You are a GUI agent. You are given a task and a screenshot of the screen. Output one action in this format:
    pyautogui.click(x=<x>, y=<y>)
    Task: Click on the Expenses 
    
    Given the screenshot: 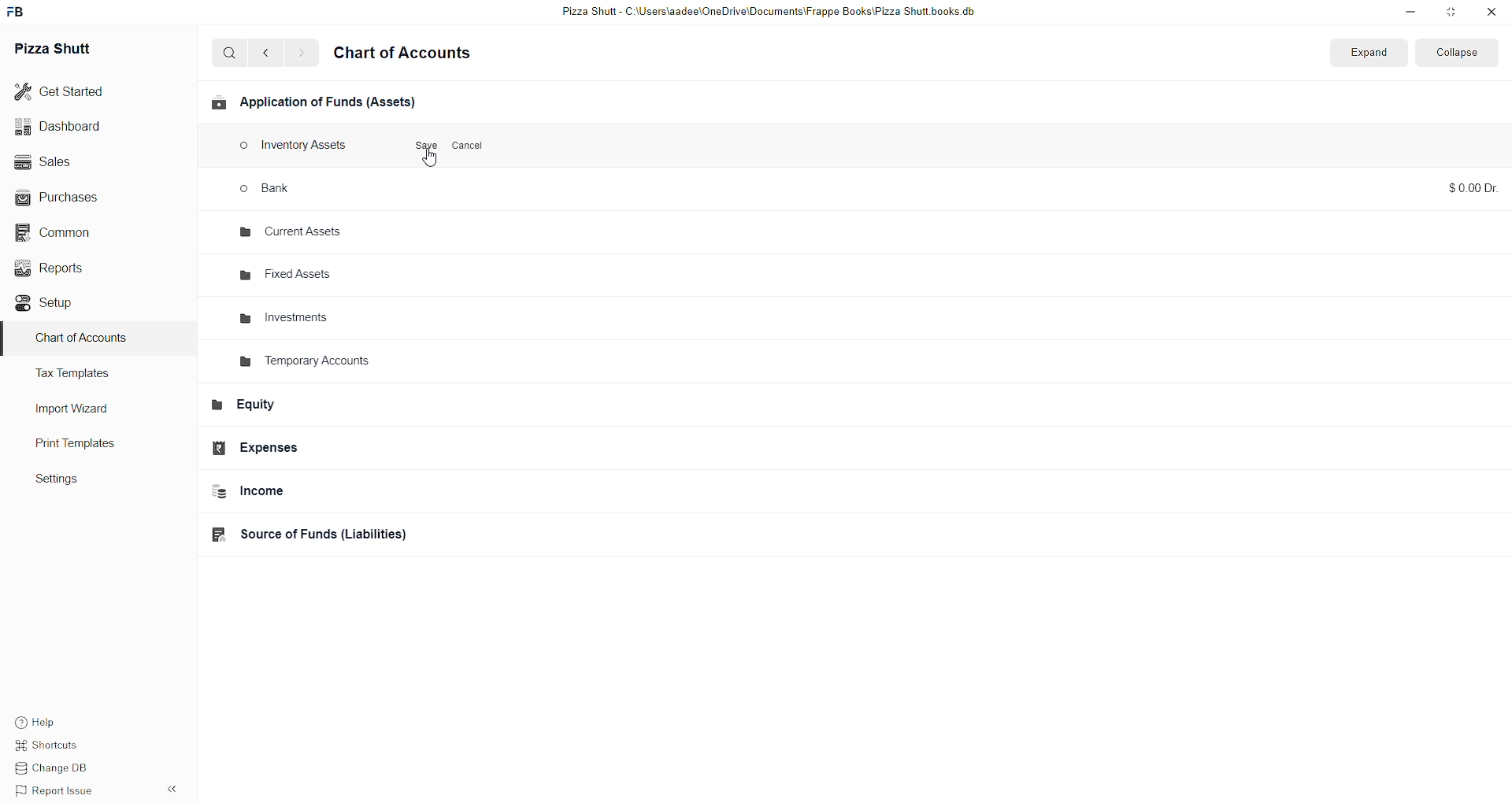 What is the action you would take?
    pyautogui.click(x=315, y=448)
    